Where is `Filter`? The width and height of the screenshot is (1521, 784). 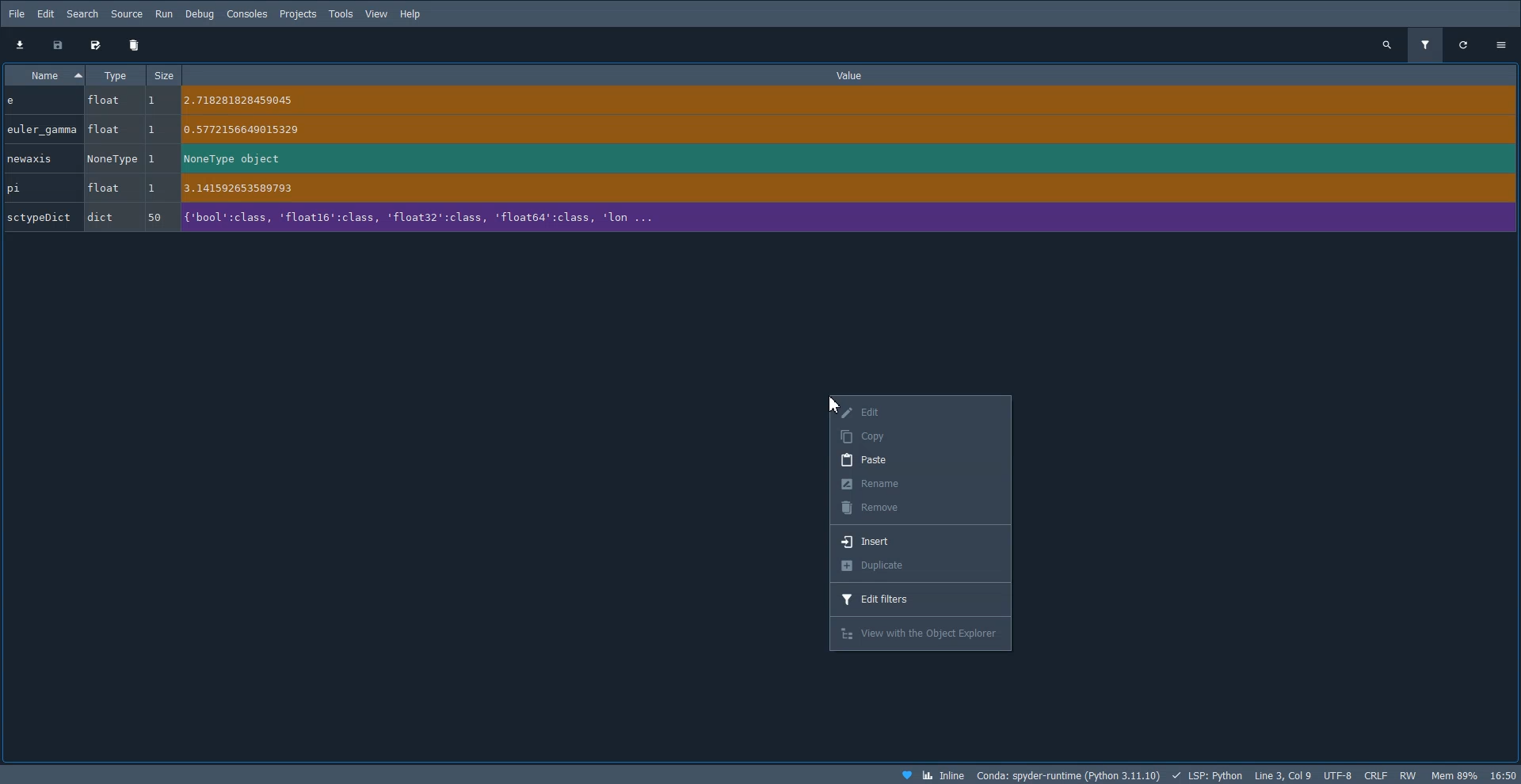 Filter is located at coordinates (1427, 44).